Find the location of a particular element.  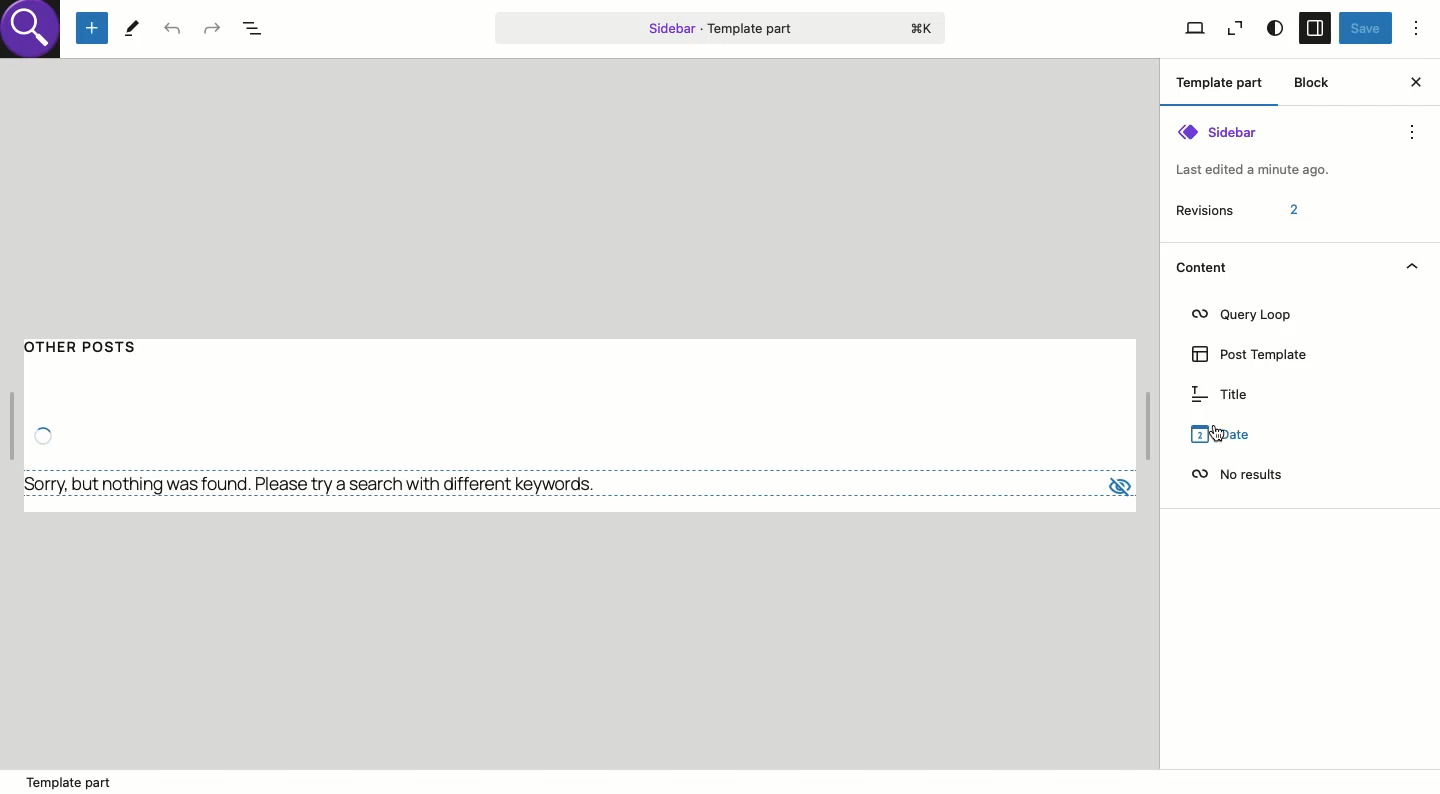

more options is located at coordinates (1412, 132).